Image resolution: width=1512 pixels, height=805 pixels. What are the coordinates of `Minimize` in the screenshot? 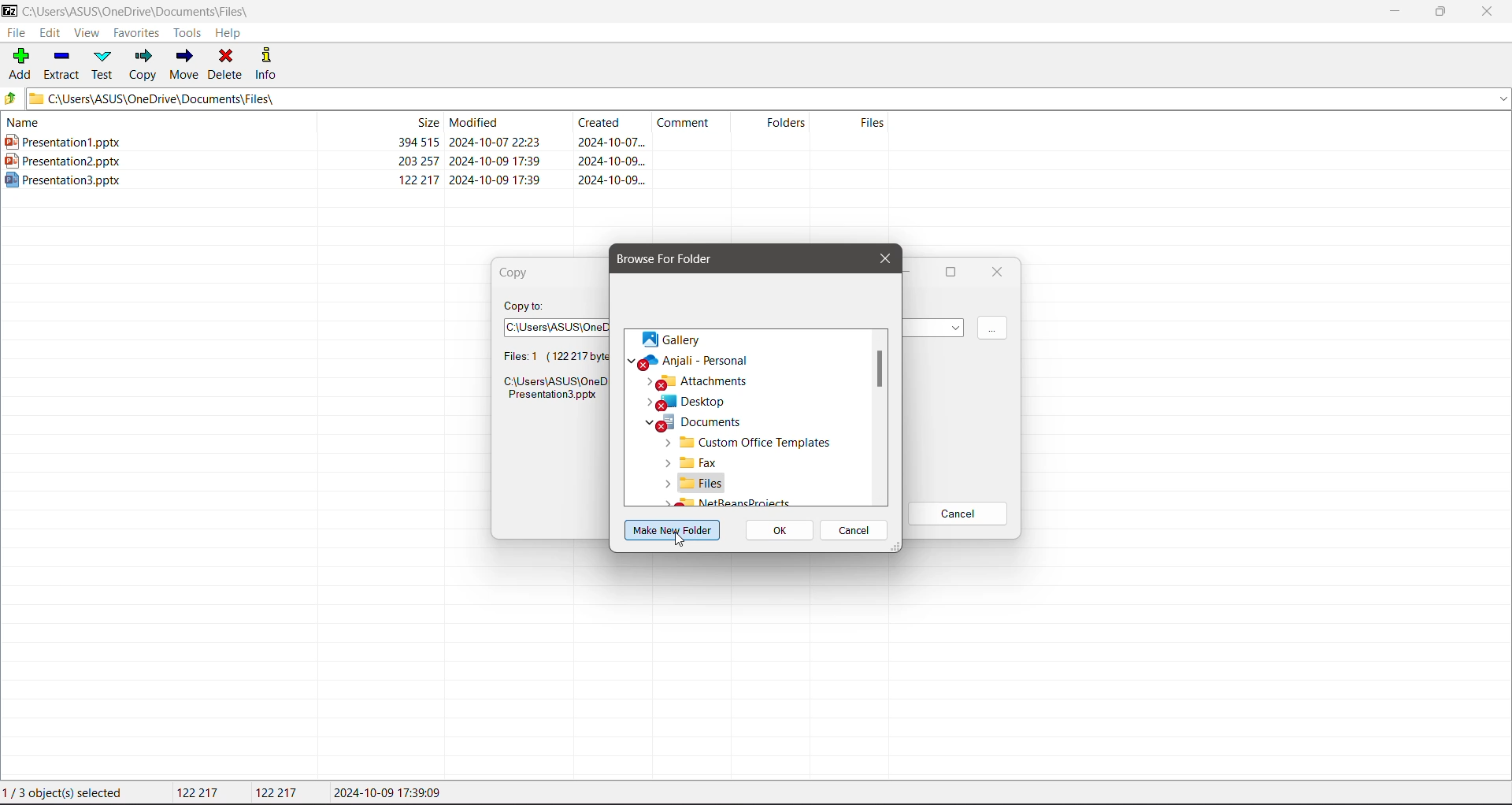 It's located at (1394, 12).